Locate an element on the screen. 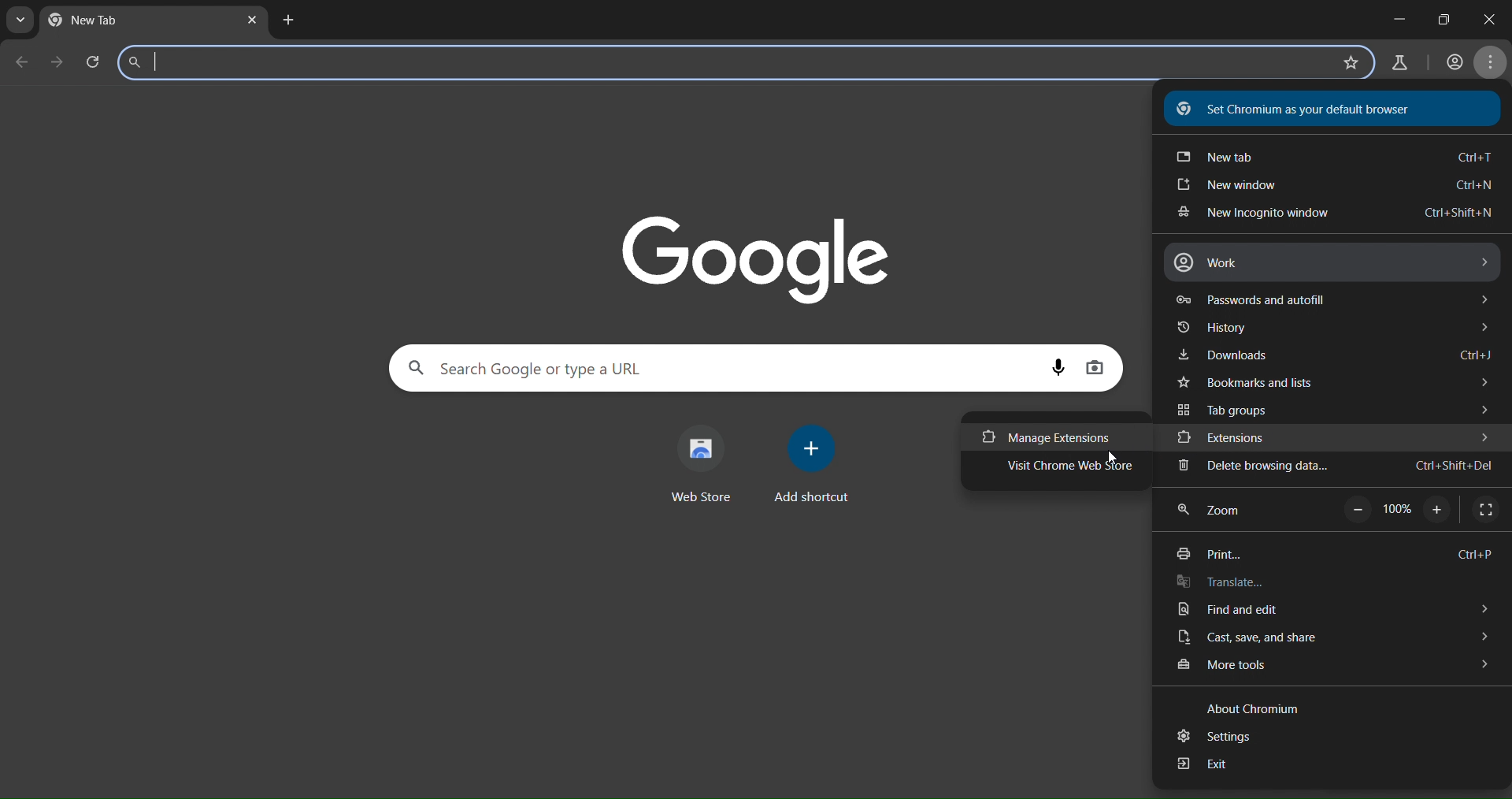 This screenshot has width=1512, height=799. delete browsing data is located at coordinates (1333, 469).